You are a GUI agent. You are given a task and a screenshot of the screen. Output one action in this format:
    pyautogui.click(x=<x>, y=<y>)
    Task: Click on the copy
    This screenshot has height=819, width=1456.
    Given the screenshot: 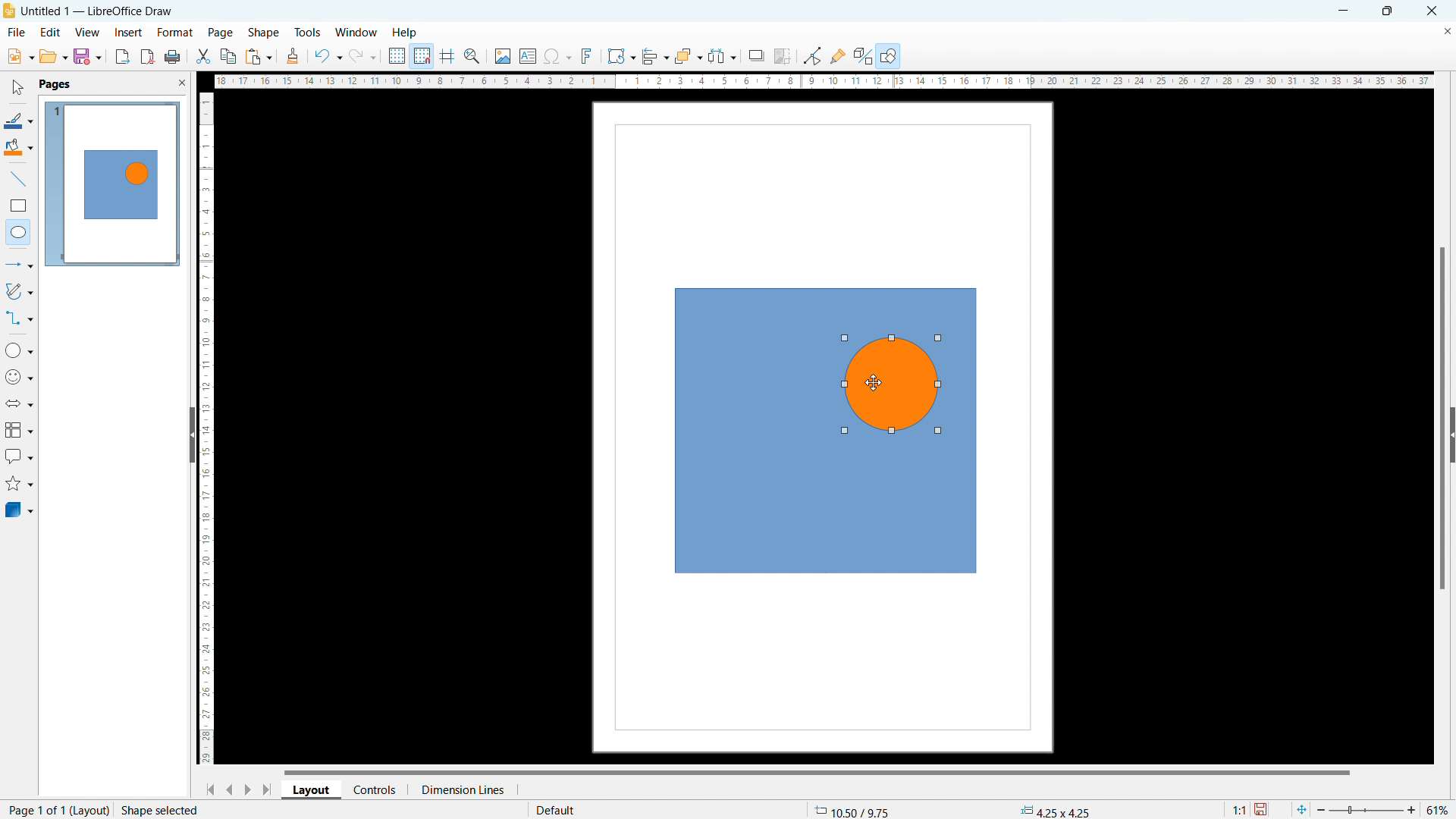 What is the action you would take?
    pyautogui.click(x=229, y=56)
    